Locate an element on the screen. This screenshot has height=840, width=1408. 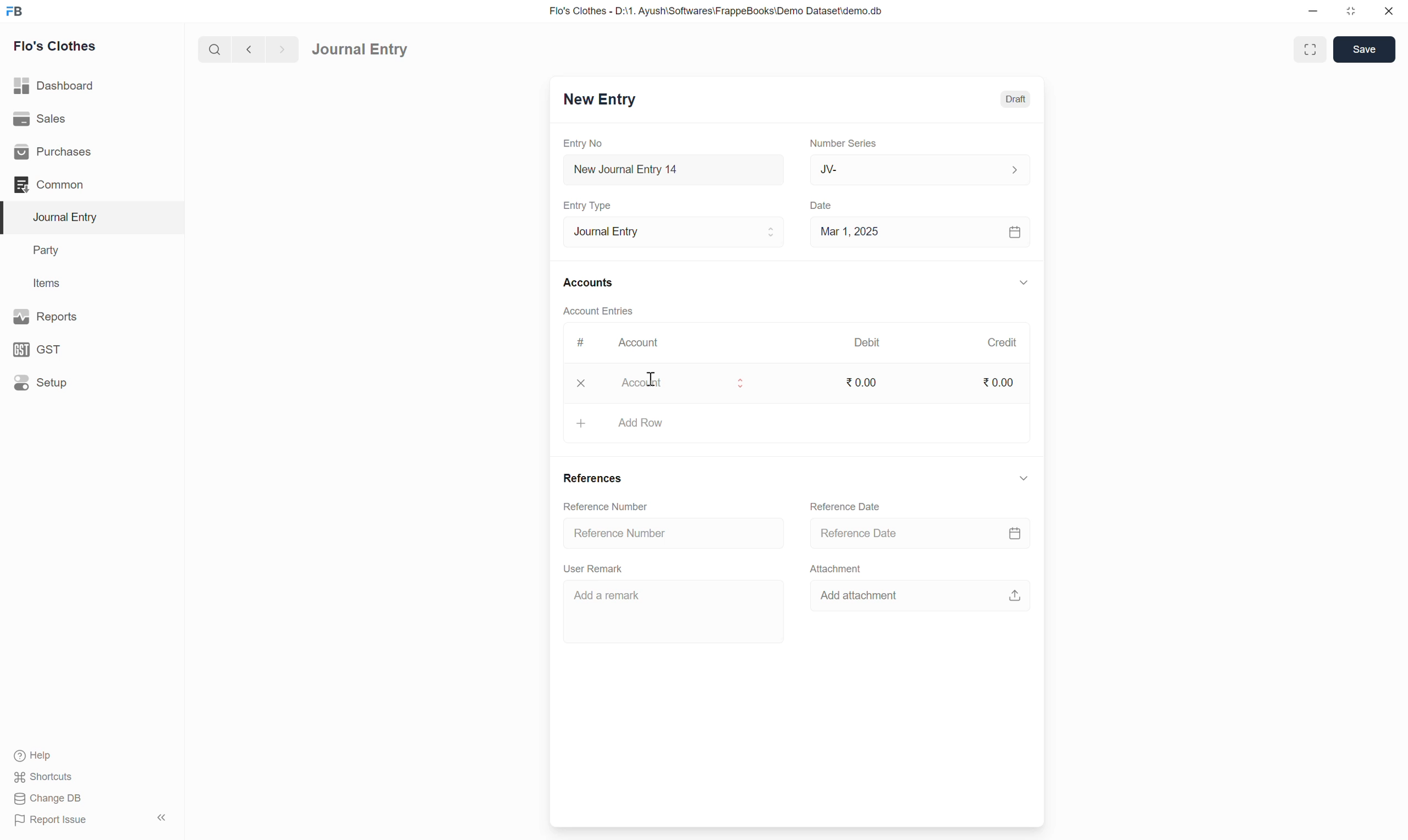
Journal Entry is located at coordinates (360, 50).